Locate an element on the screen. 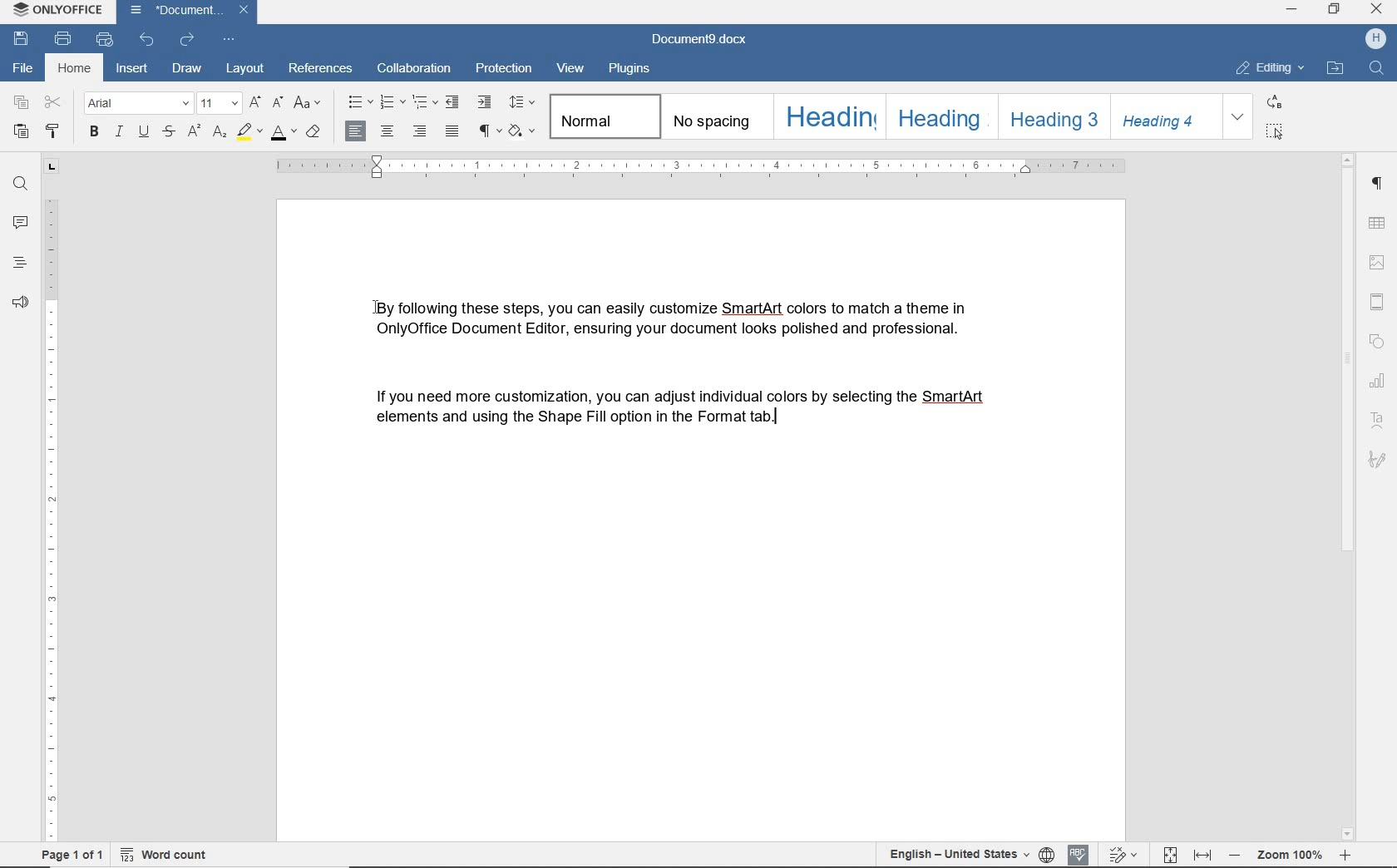 Image resolution: width=1397 pixels, height=868 pixels. font is located at coordinates (137, 102).